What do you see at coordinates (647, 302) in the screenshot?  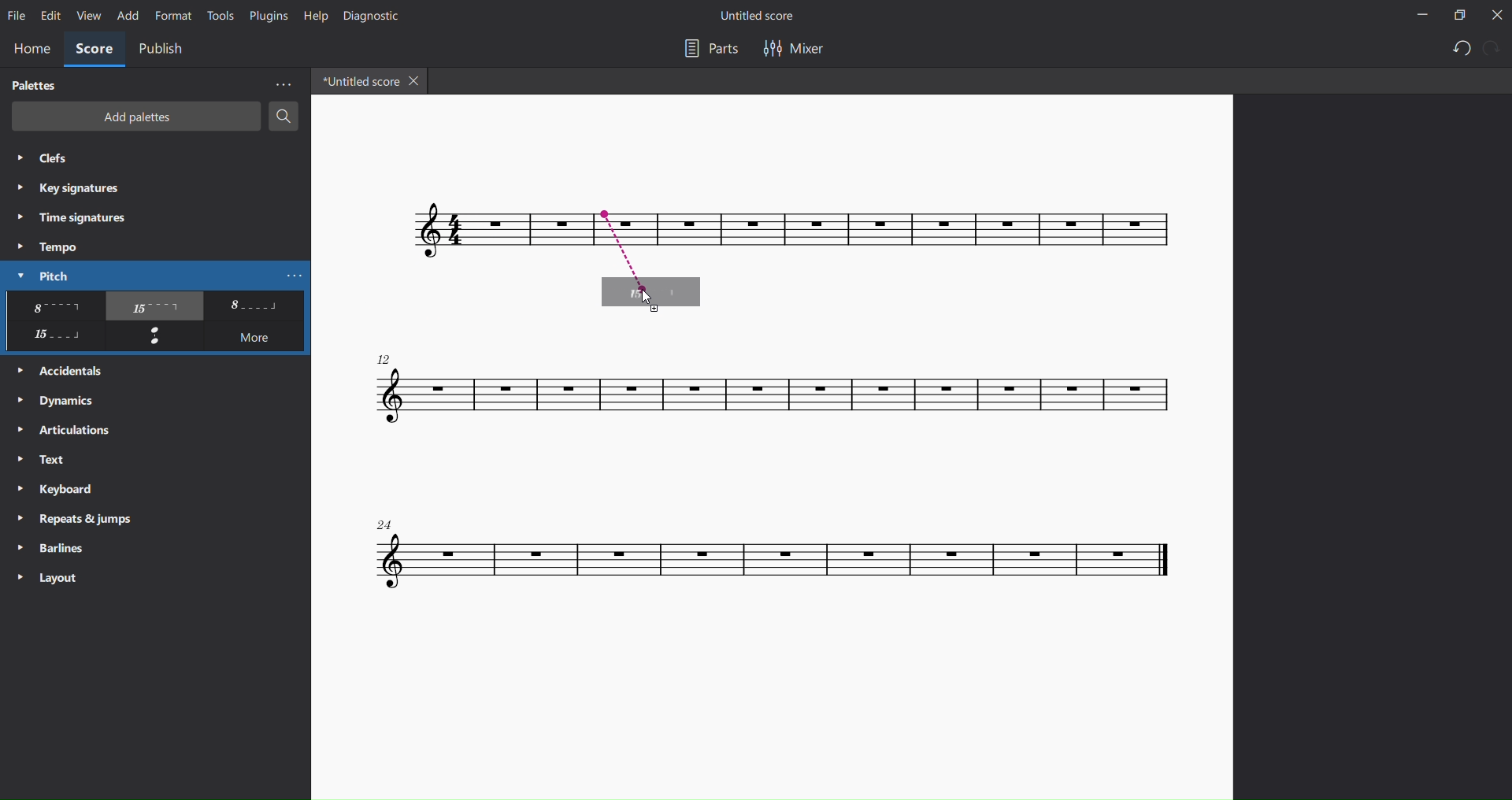 I see `Cursor` at bounding box center [647, 302].